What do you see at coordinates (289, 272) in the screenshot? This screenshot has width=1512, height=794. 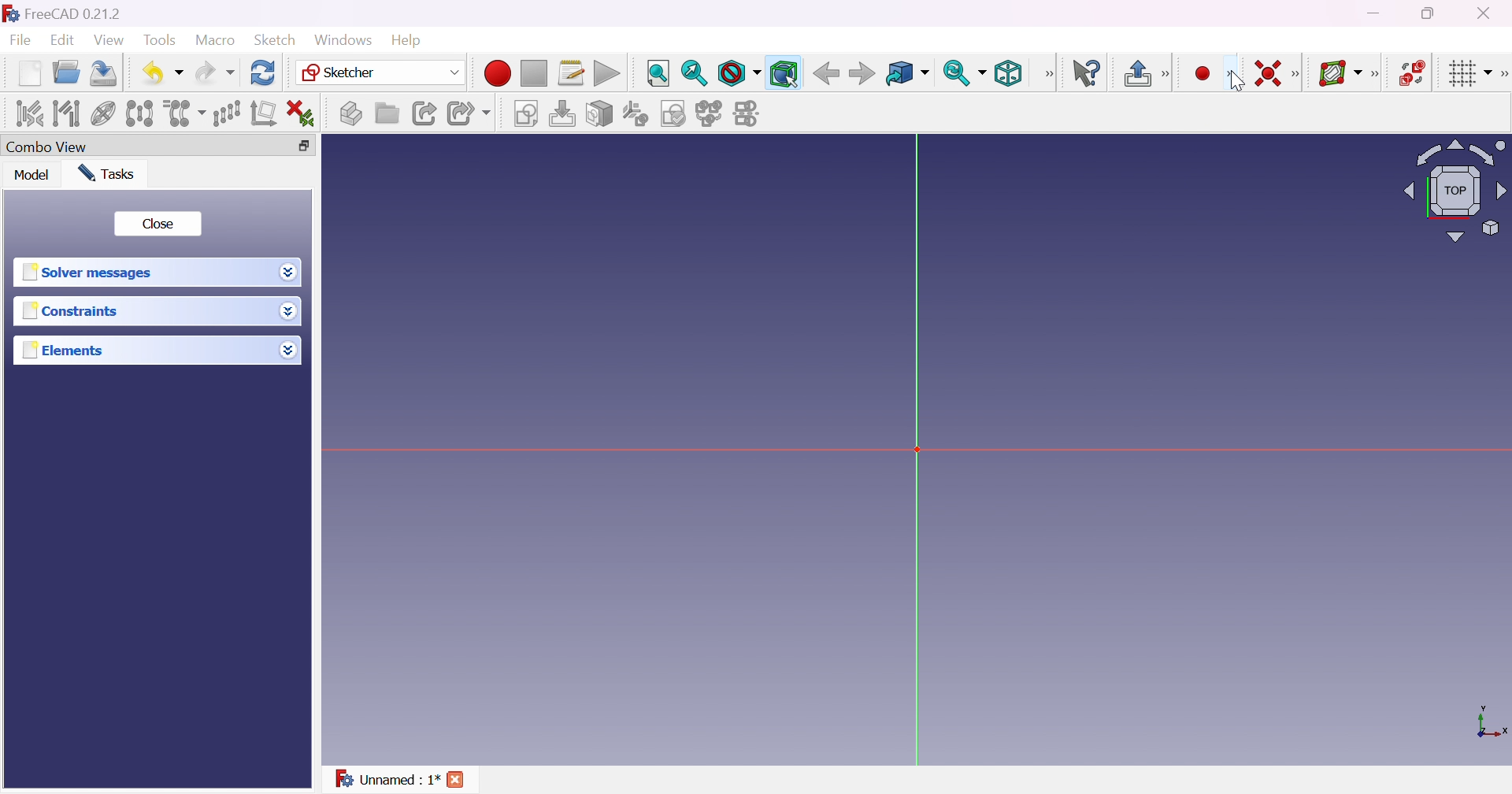 I see `Drop down` at bounding box center [289, 272].